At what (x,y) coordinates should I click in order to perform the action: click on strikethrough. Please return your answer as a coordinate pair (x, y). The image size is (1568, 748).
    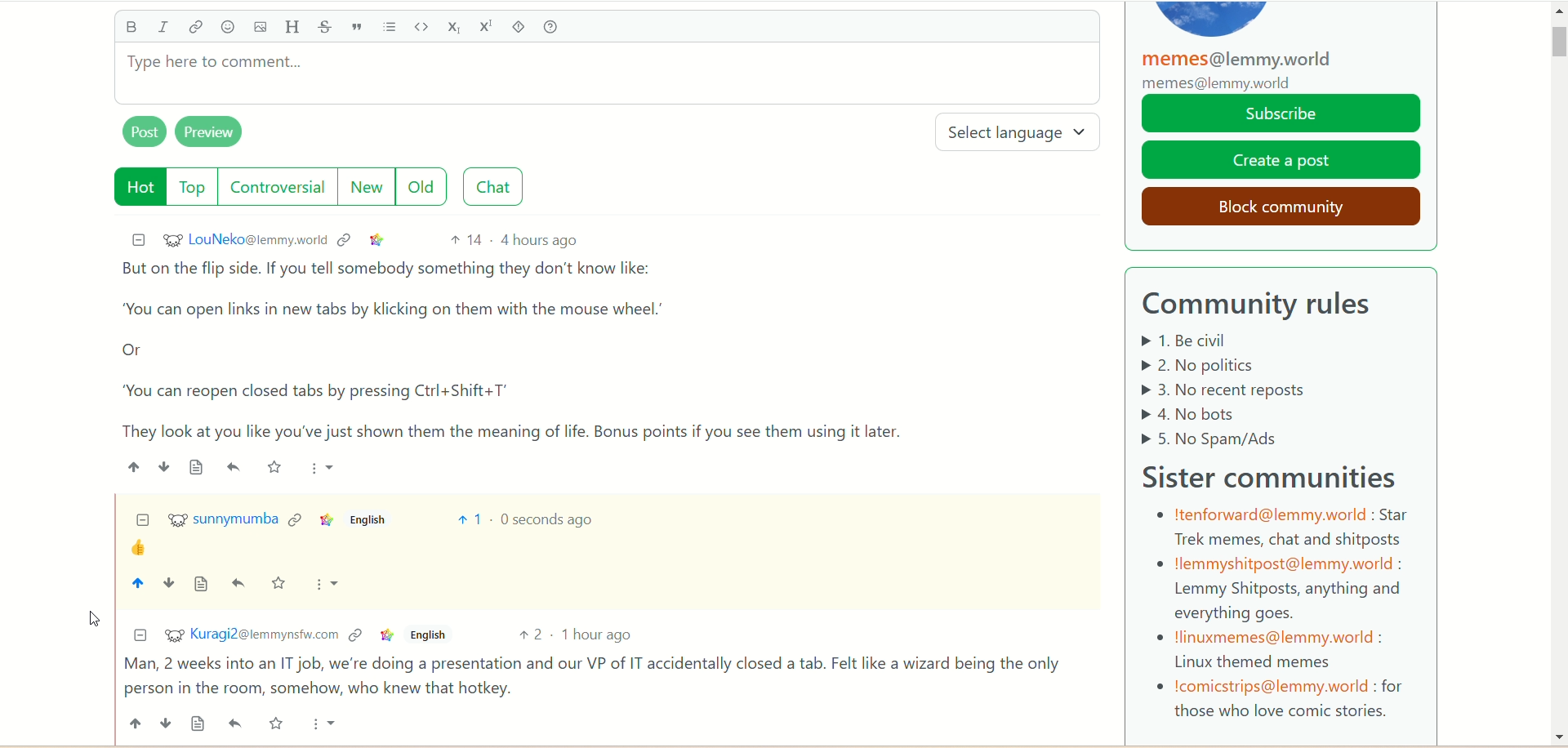
    Looking at the image, I should click on (325, 28).